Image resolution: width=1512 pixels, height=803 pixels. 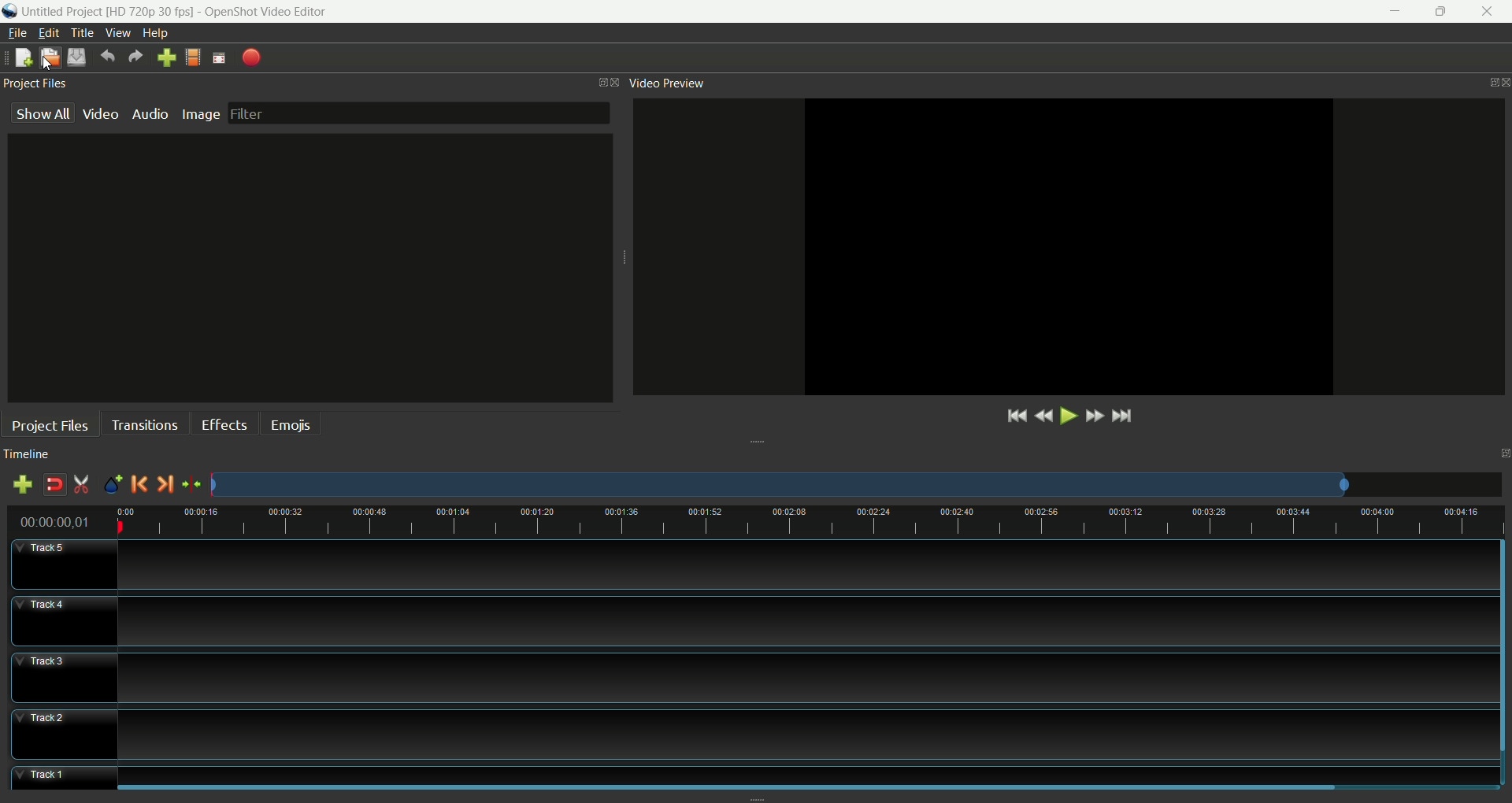 I want to click on import file, so click(x=164, y=57).